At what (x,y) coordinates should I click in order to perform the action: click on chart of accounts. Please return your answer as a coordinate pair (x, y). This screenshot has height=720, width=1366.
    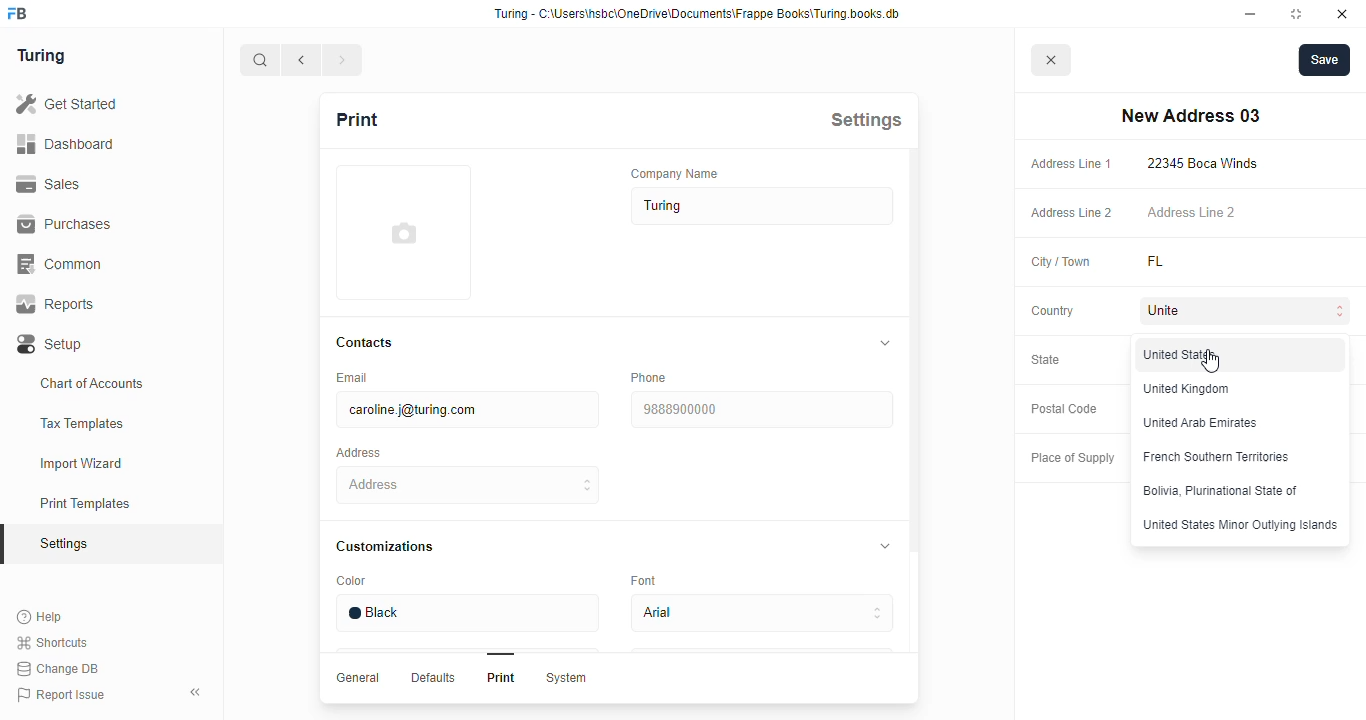
    Looking at the image, I should click on (92, 383).